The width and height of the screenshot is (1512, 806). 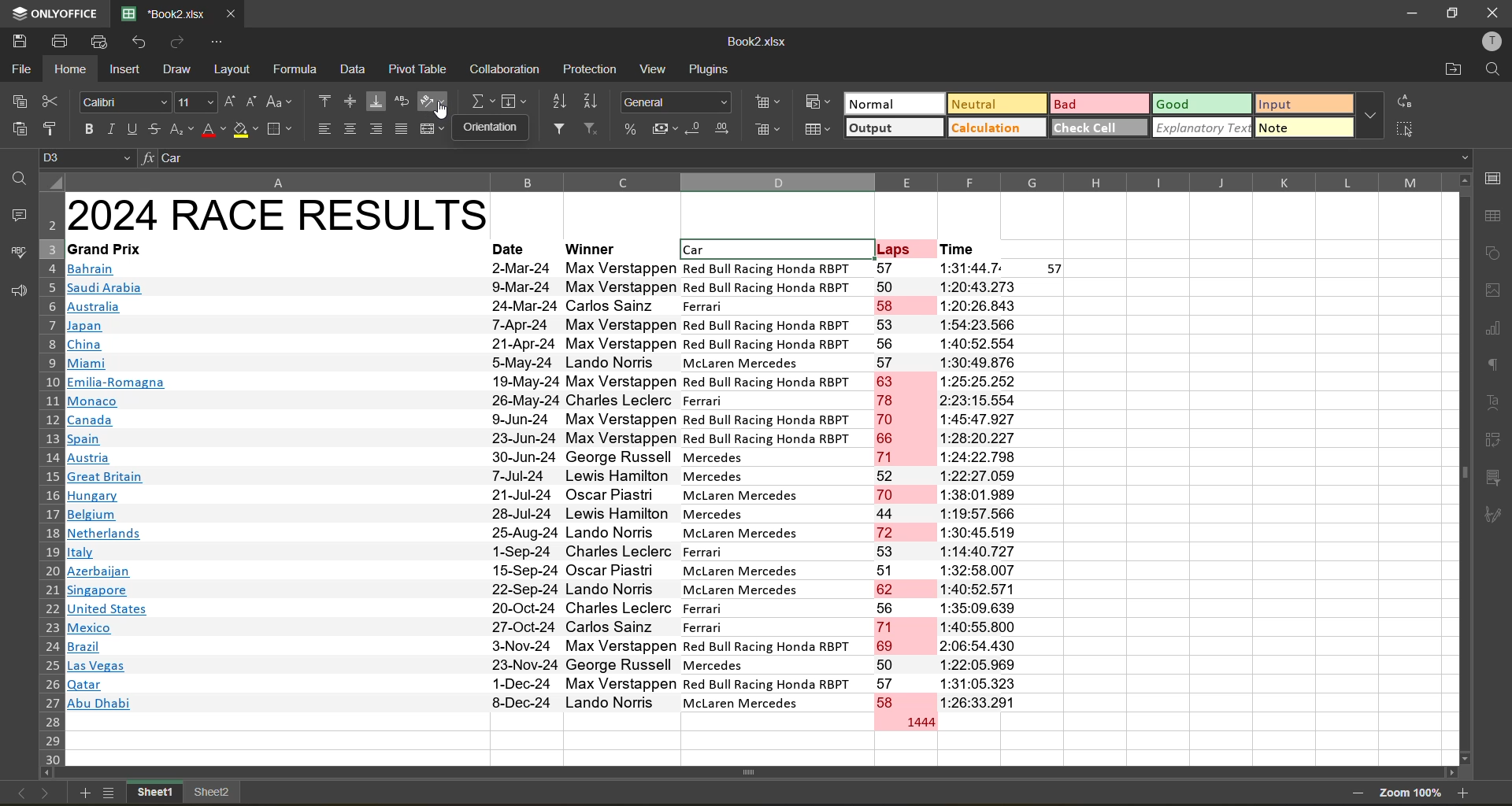 I want to click on sheets list, so click(x=110, y=794).